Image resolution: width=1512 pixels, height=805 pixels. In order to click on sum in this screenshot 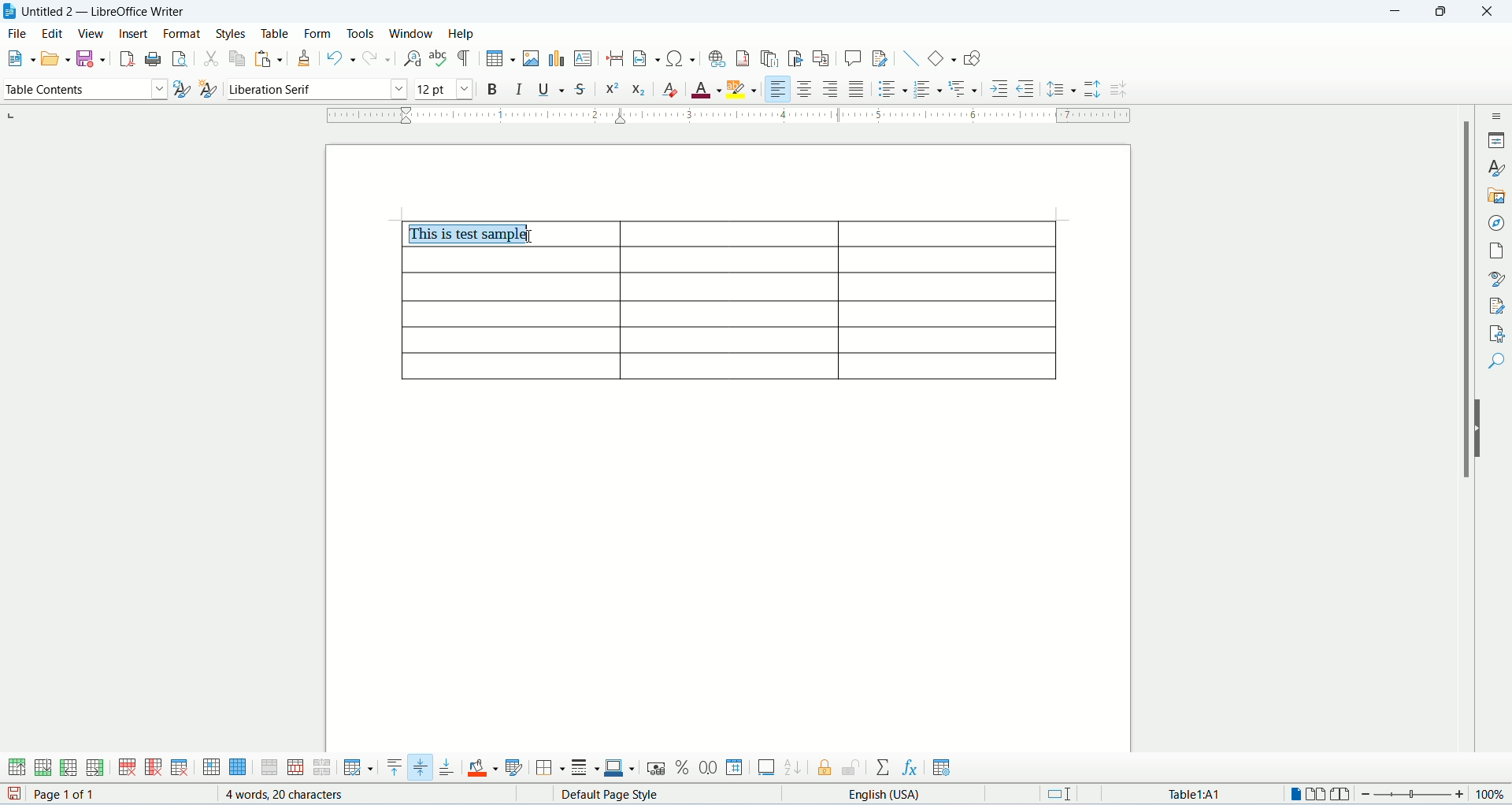, I will do `click(884, 767)`.